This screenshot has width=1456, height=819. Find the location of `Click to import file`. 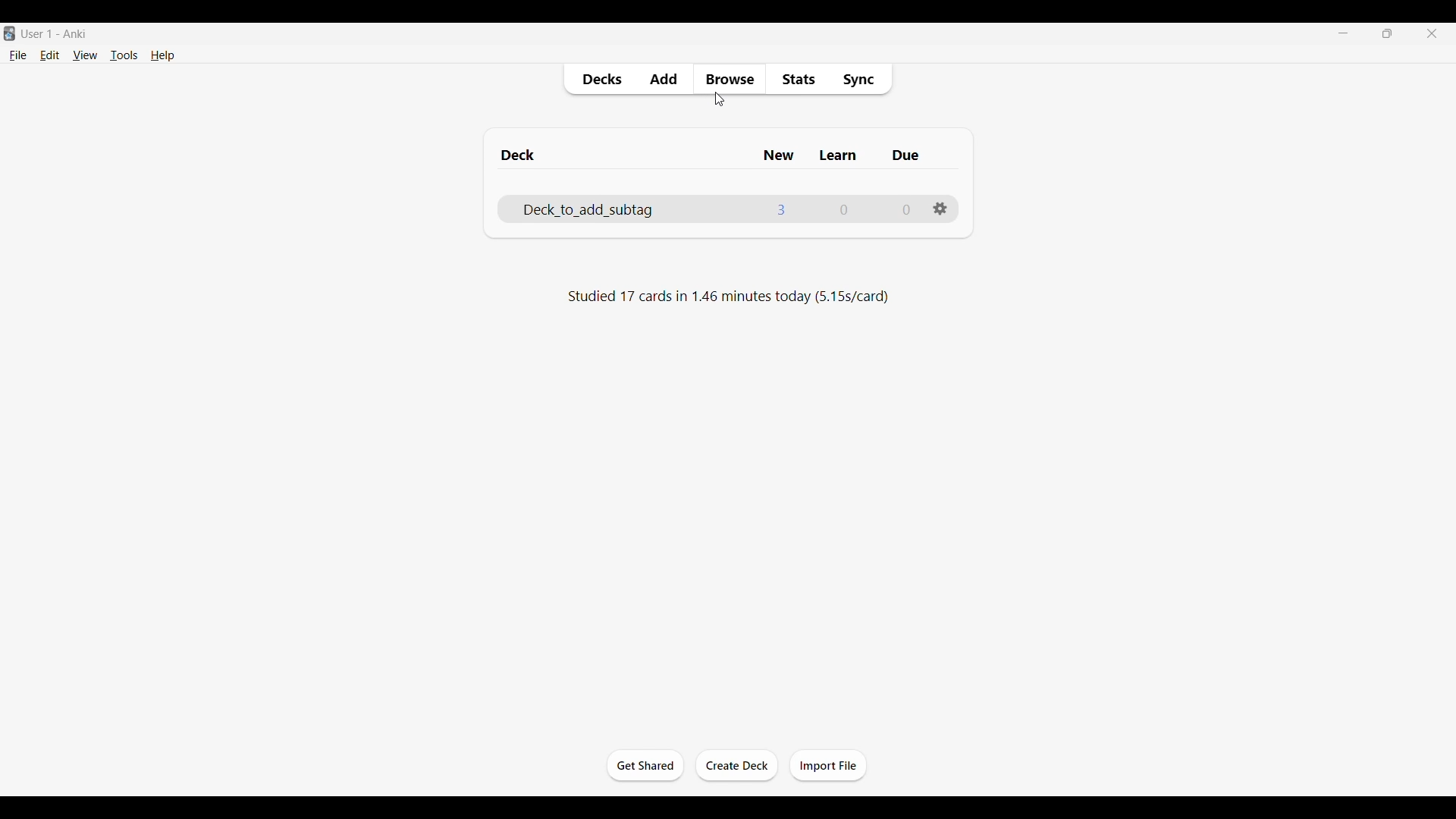

Click to import file is located at coordinates (829, 766).